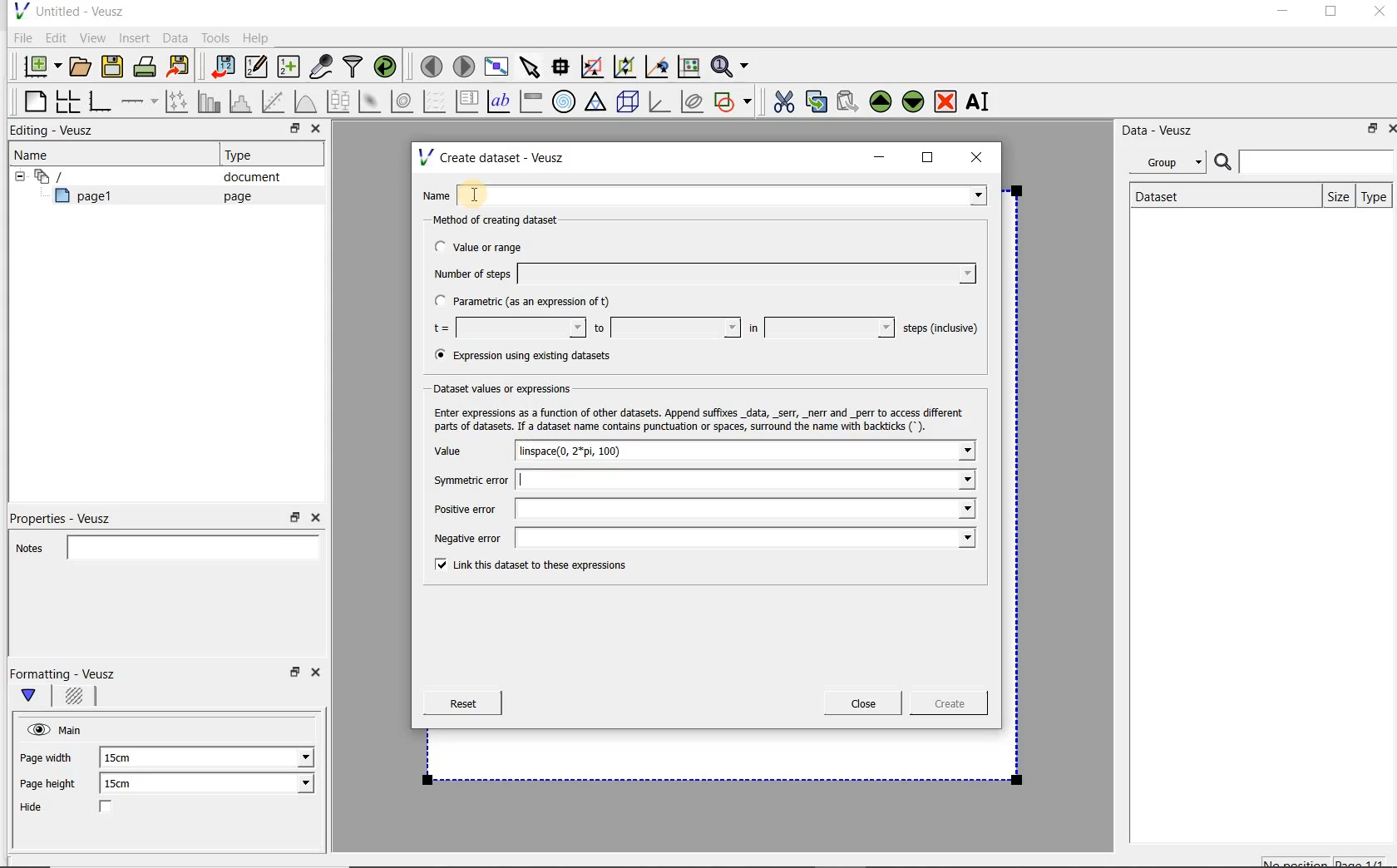  What do you see at coordinates (658, 67) in the screenshot?
I see `click to recenter graph axes` at bounding box center [658, 67].